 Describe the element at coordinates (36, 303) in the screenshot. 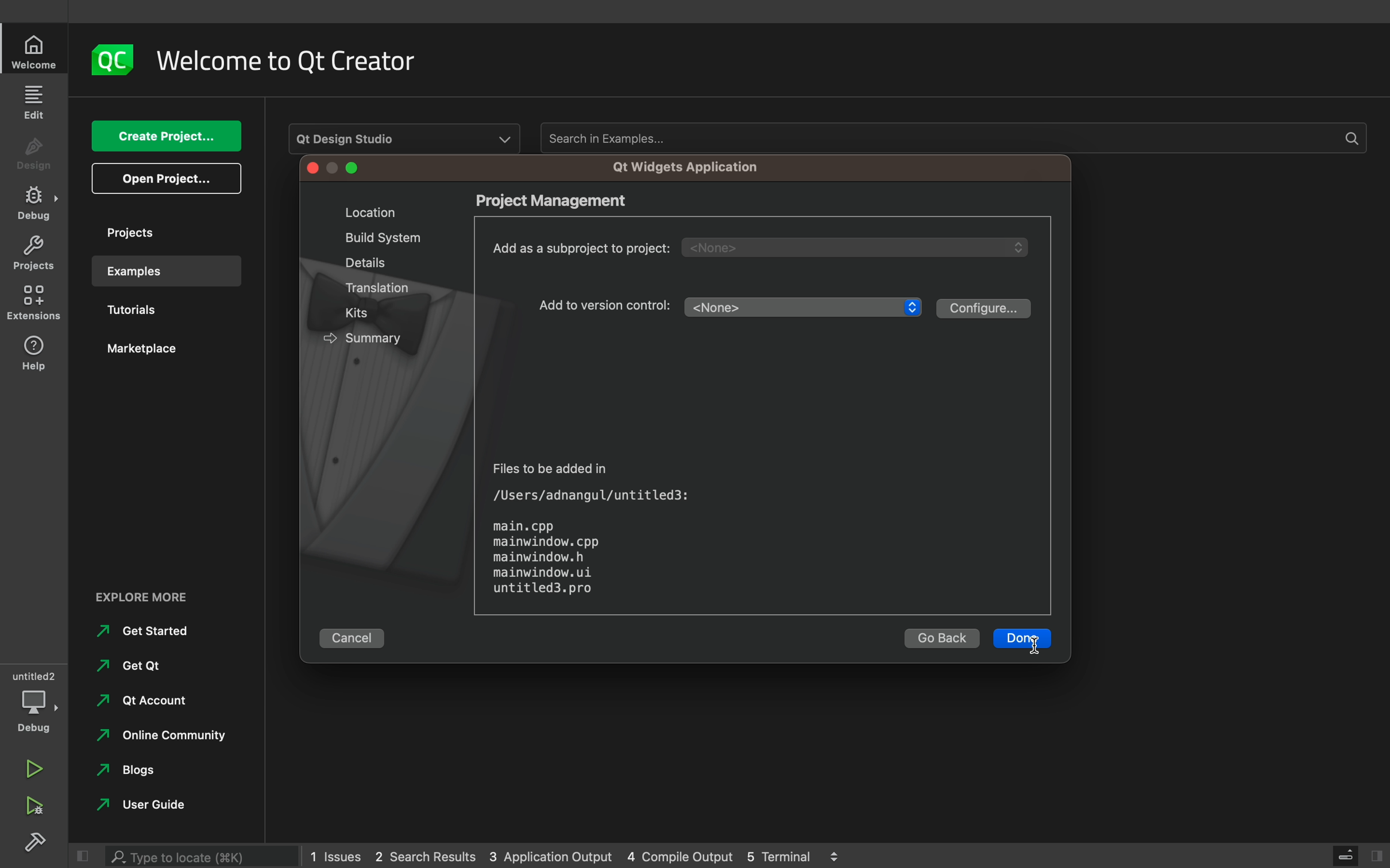

I see `extensions` at that location.